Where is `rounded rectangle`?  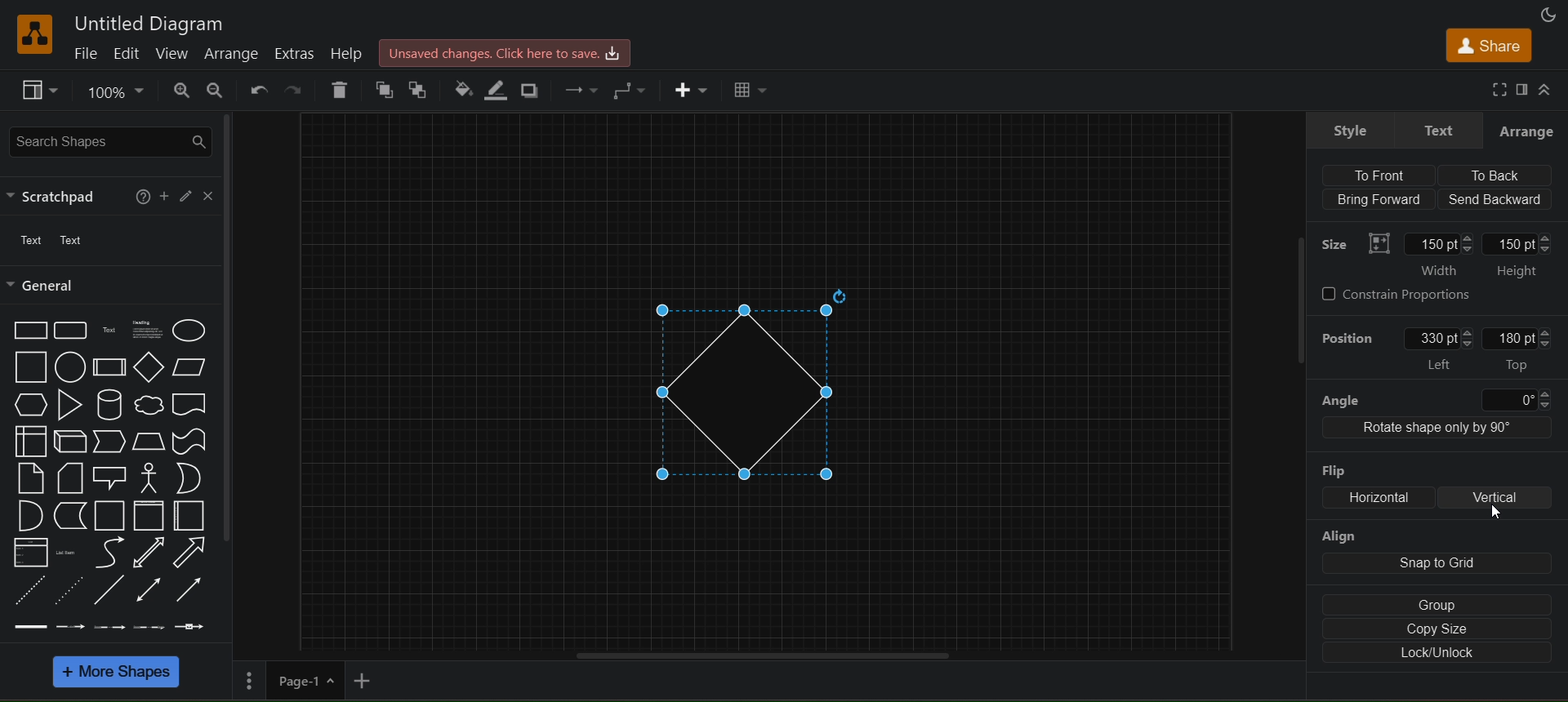
rounded rectangle is located at coordinates (70, 331).